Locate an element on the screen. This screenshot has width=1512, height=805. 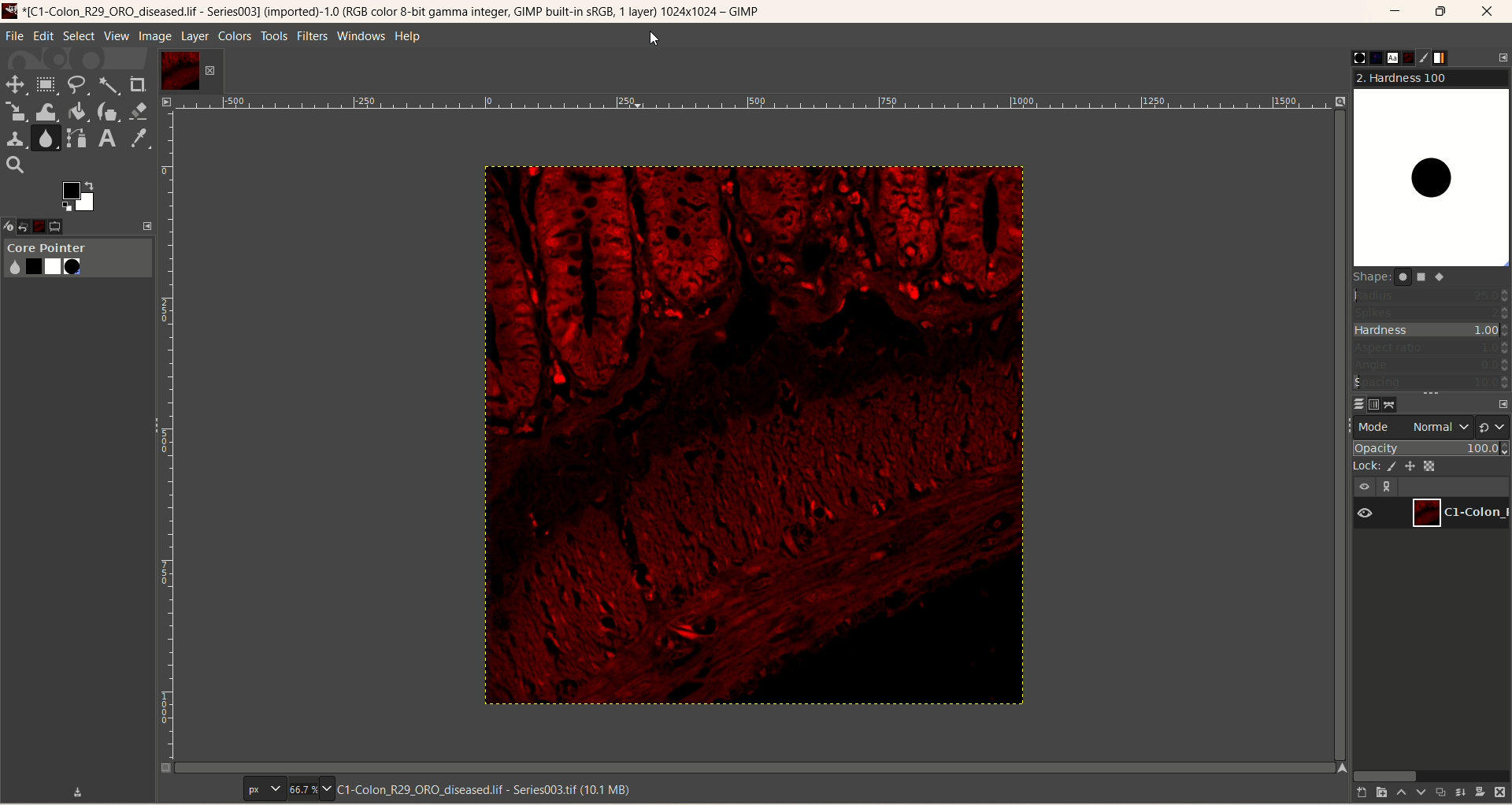
channels is located at coordinates (1372, 403).